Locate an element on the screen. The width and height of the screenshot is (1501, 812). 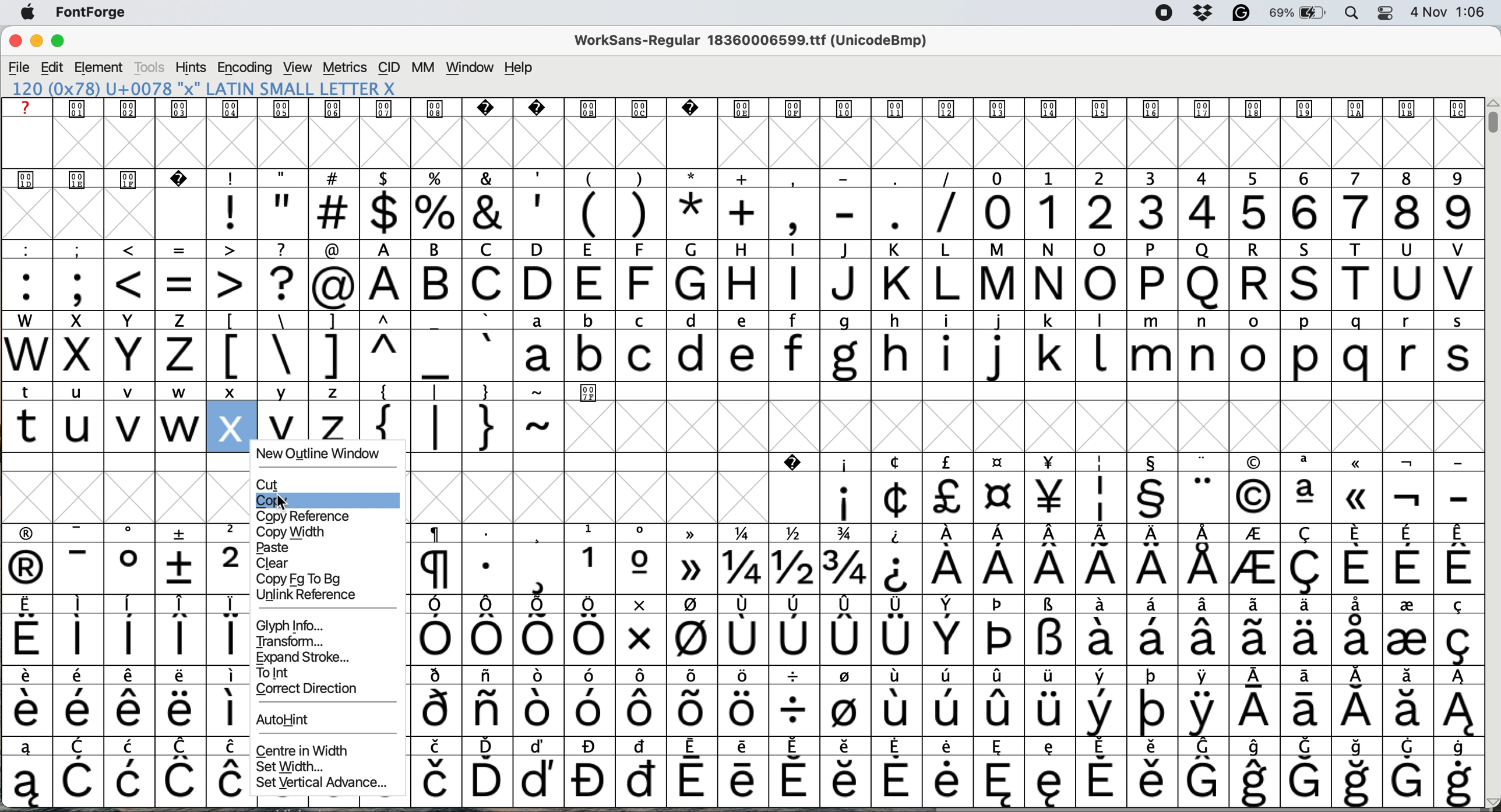
glyph grid is located at coordinates (131, 497).